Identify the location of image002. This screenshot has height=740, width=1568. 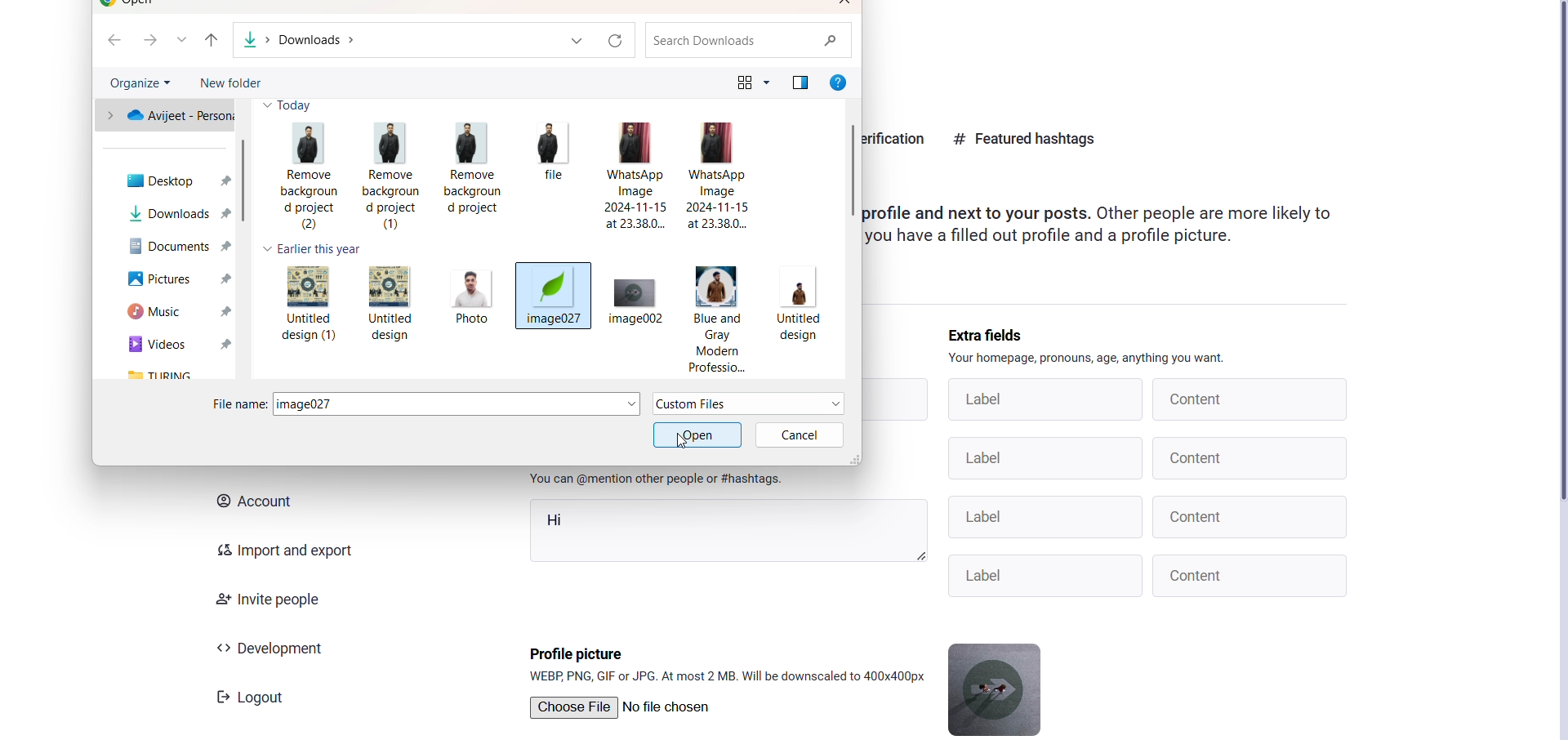
(632, 301).